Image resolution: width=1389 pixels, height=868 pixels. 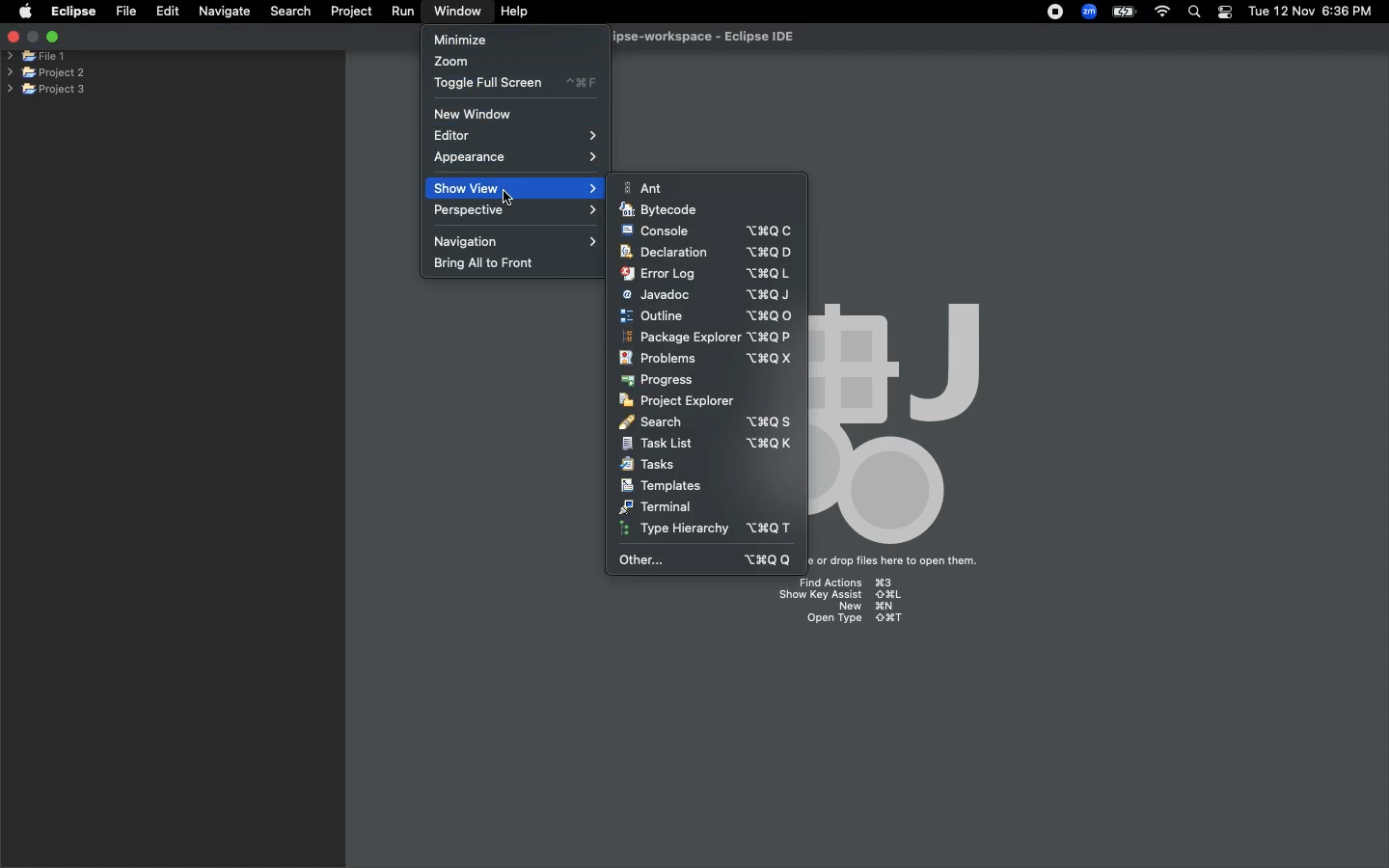 What do you see at coordinates (661, 485) in the screenshot?
I see `Templates` at bounding box center [661, 485].